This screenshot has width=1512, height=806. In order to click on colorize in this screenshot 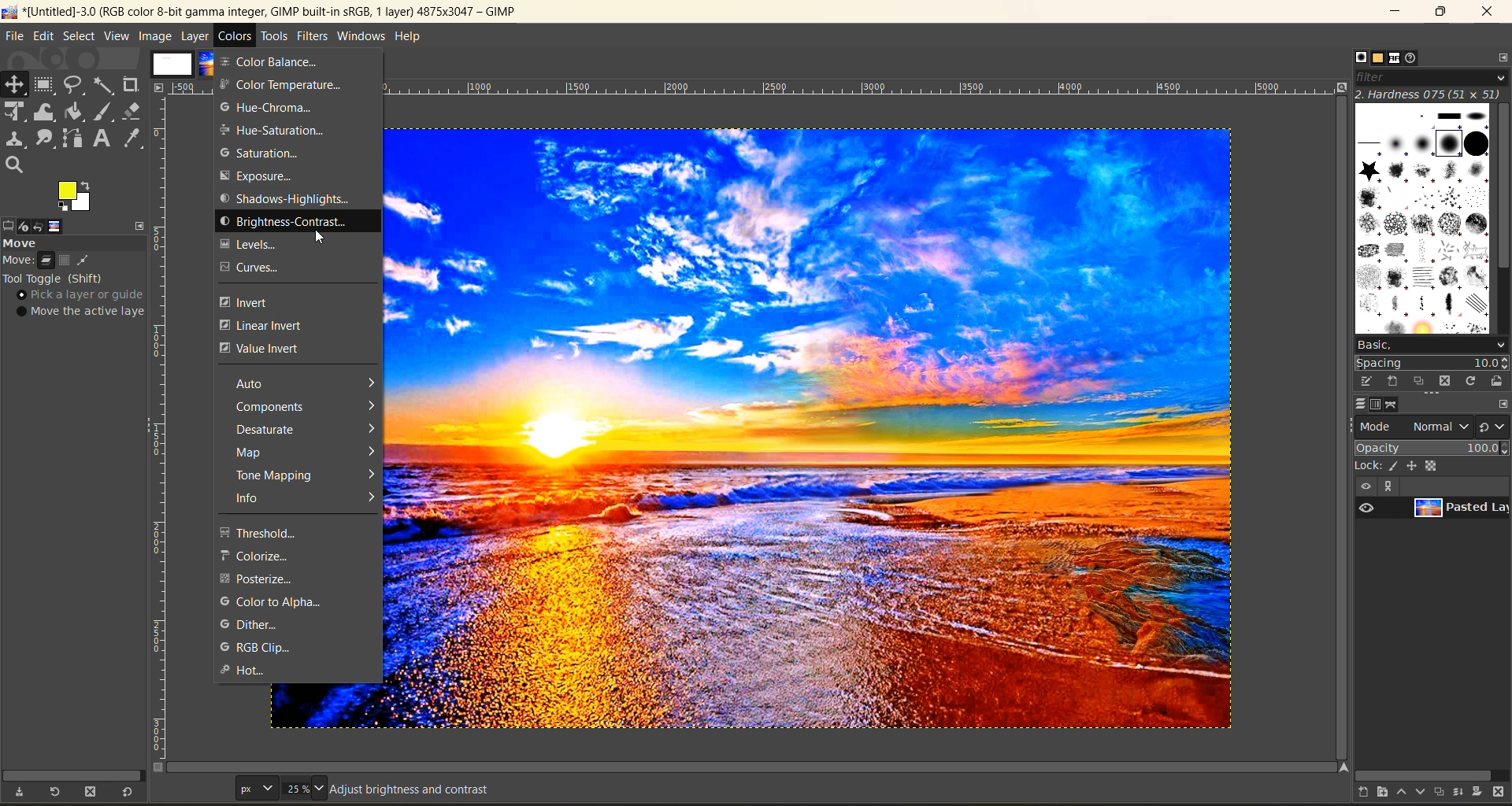, I will do `click(272, 556)`.